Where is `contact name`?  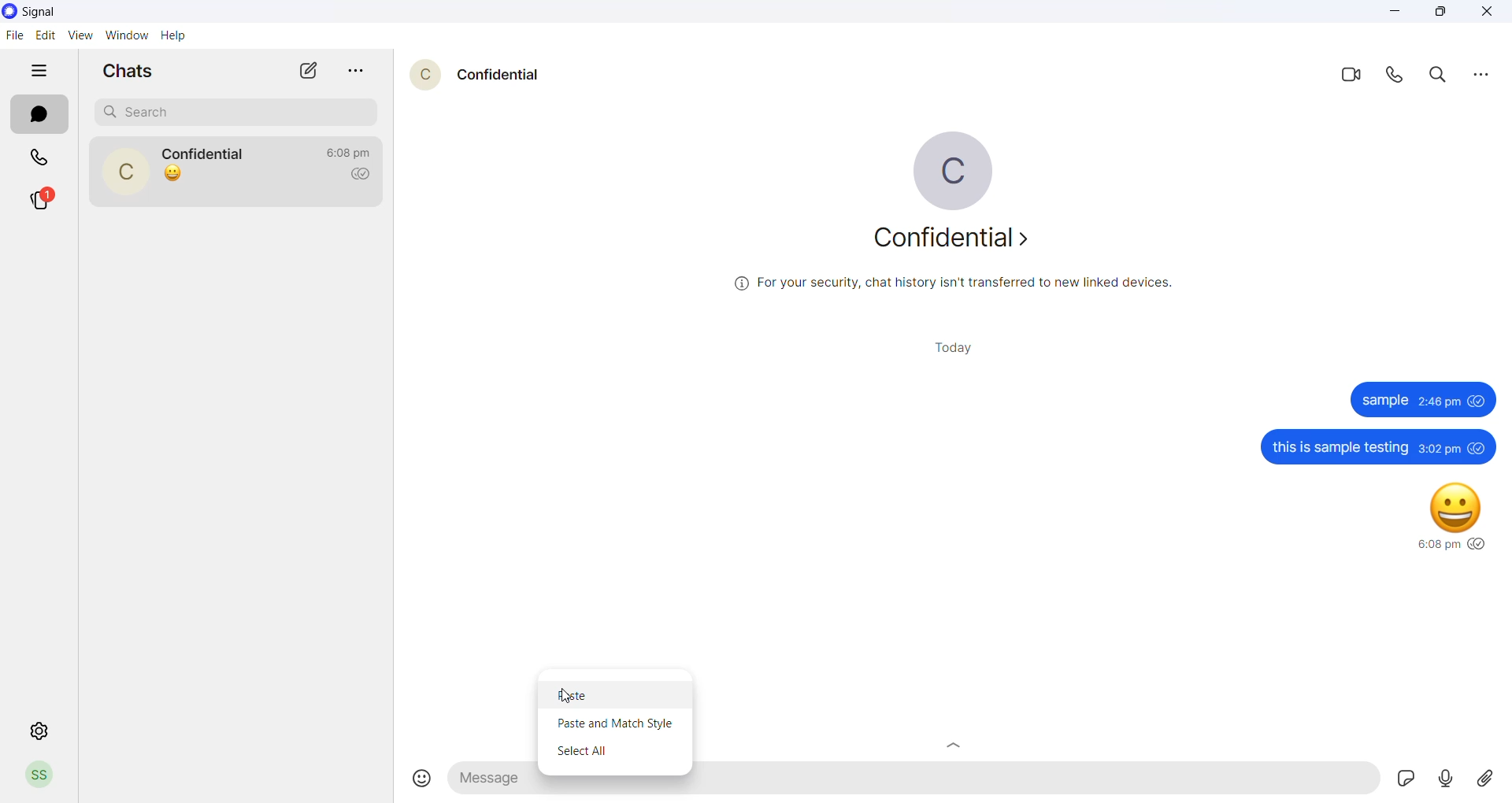 contact name is located at coordinates (209, 154).